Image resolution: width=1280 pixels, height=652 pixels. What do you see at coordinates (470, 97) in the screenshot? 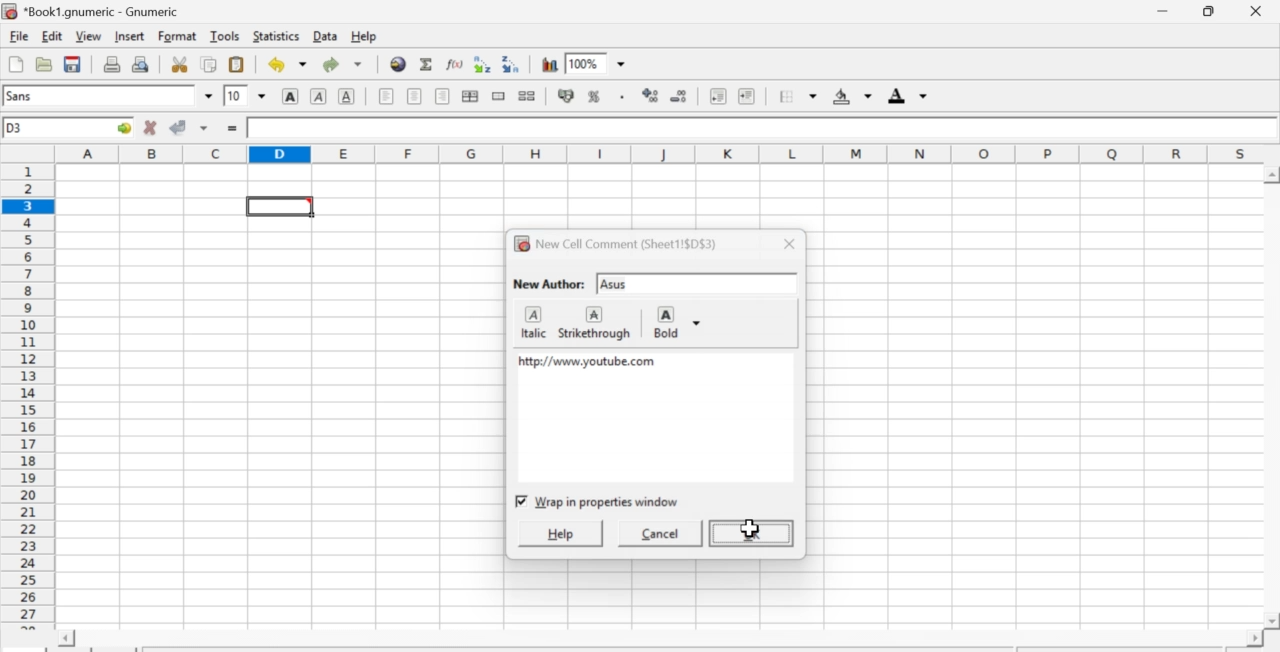
I see `Center horizontally` at bounding box center [470, 97].